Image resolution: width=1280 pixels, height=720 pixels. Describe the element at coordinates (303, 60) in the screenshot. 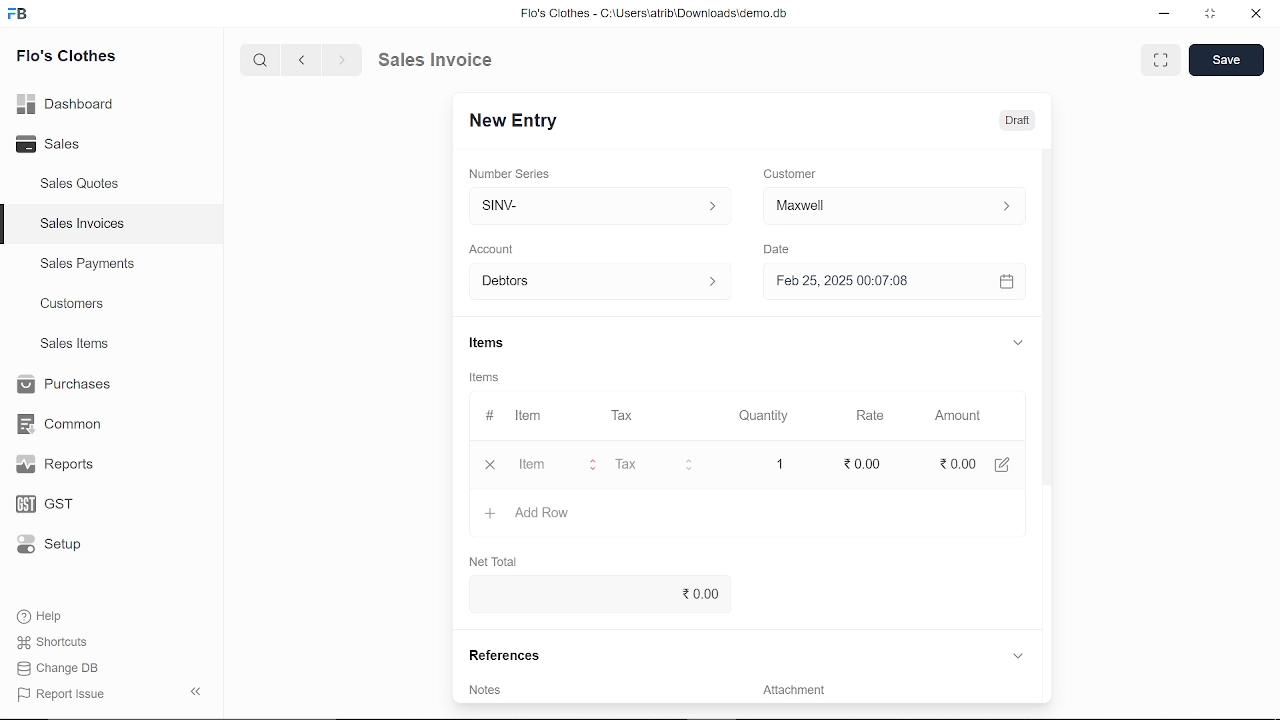

I see `previous` at that location.